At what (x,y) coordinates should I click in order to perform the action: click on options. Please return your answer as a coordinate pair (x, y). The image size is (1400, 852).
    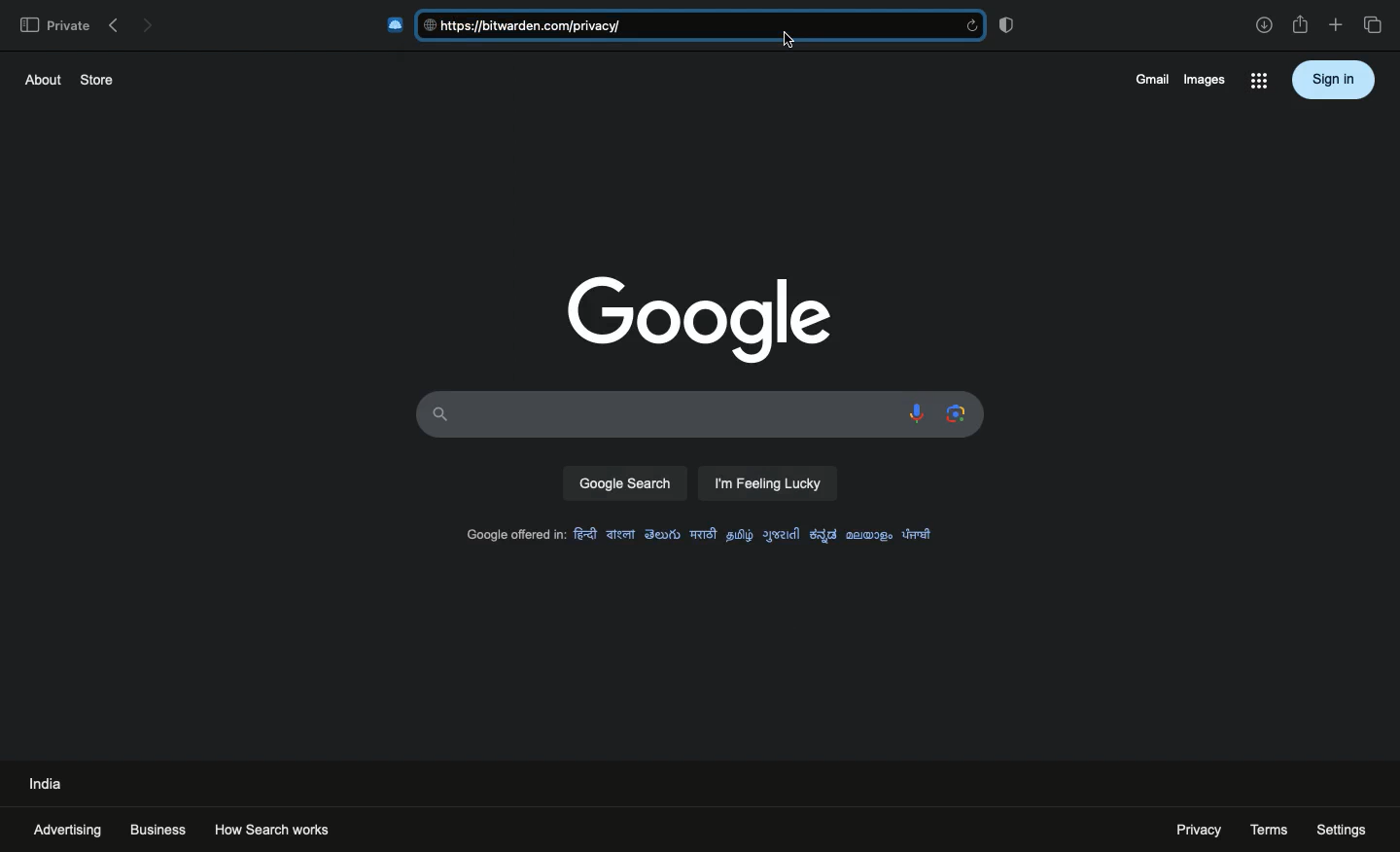
    Looking at the image, I should click on (1258, 83).